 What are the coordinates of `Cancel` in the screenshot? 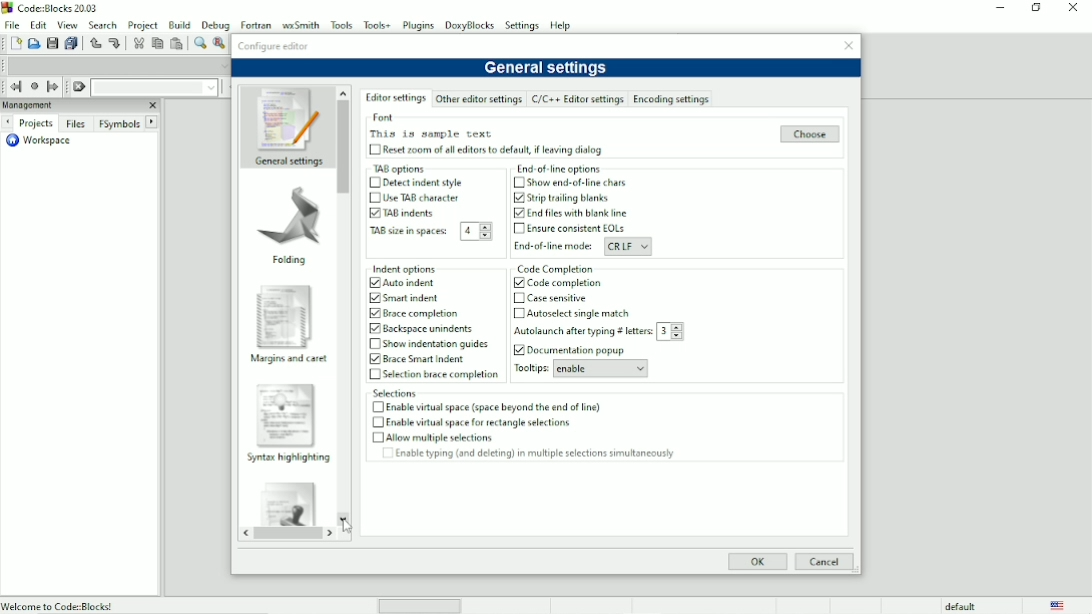 It's located at (824, 562).